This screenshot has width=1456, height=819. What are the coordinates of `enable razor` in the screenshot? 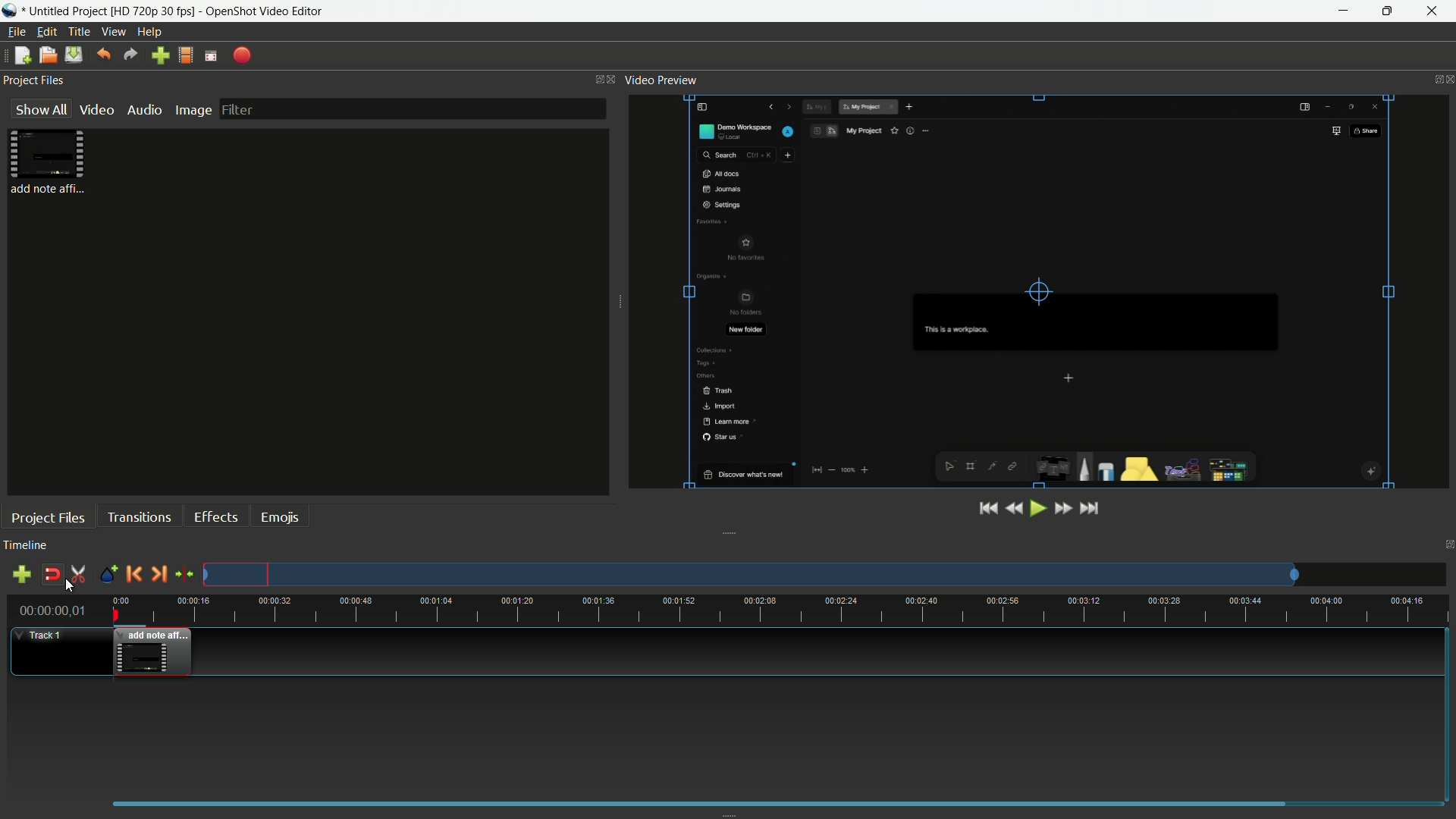 It's located at (80, 572).